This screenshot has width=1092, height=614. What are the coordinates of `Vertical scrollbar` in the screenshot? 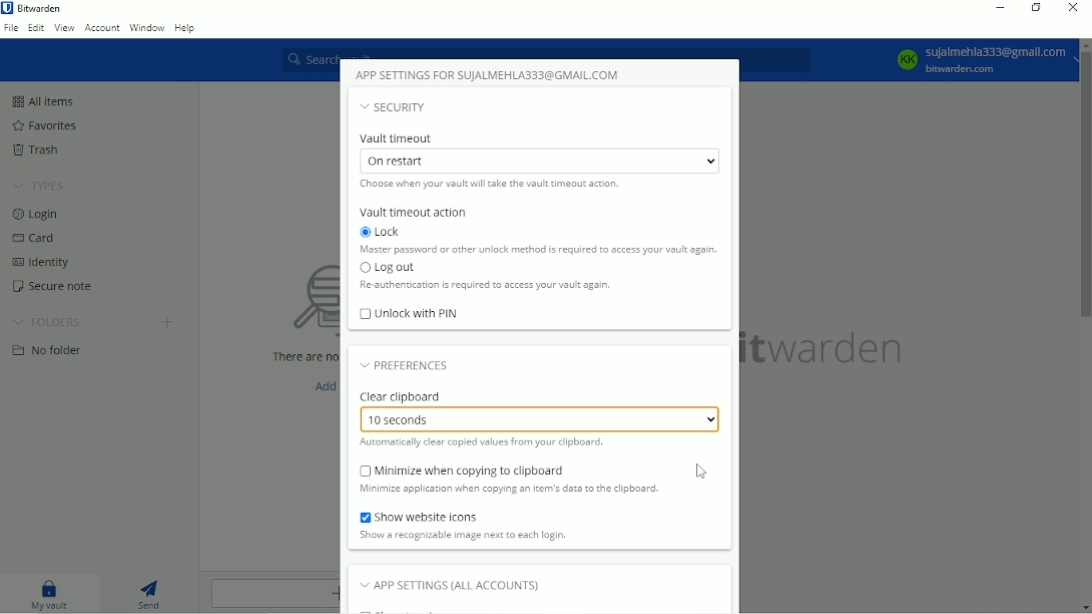 It's located at (1085, 192).